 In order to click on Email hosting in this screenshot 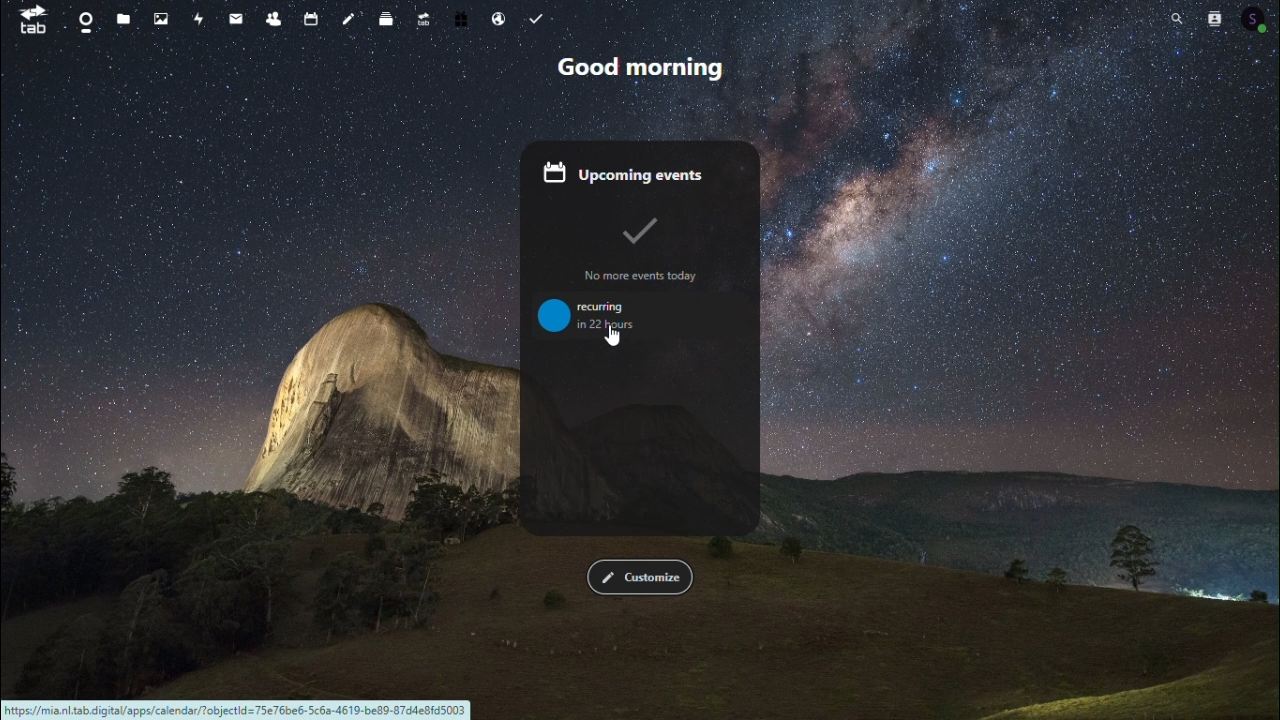, I will do `click(499, 18)`.